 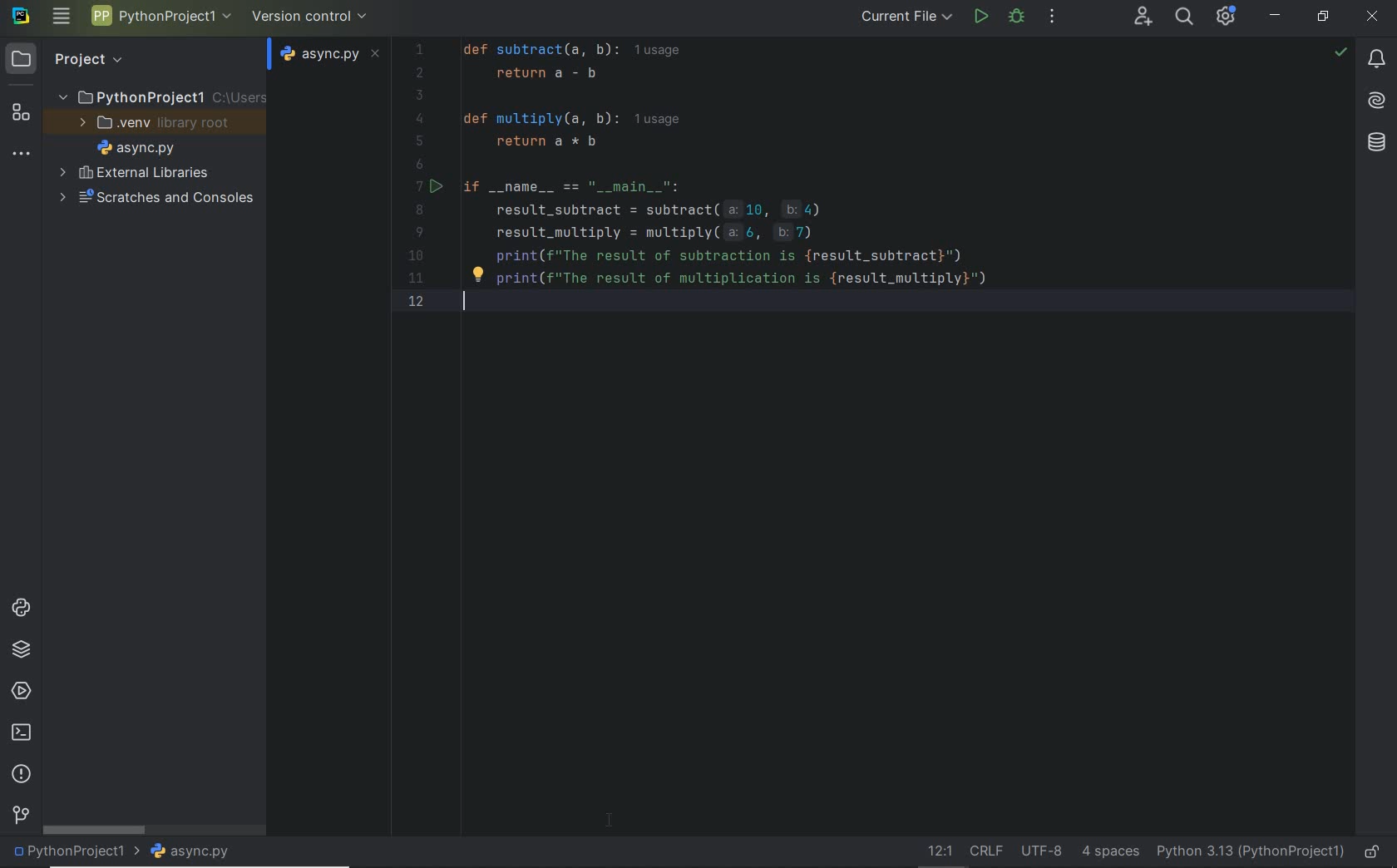 What do you see at coordinates (1042, 851) in the screenshot?
I see `file encoding` at bounding box center [1042, 851].